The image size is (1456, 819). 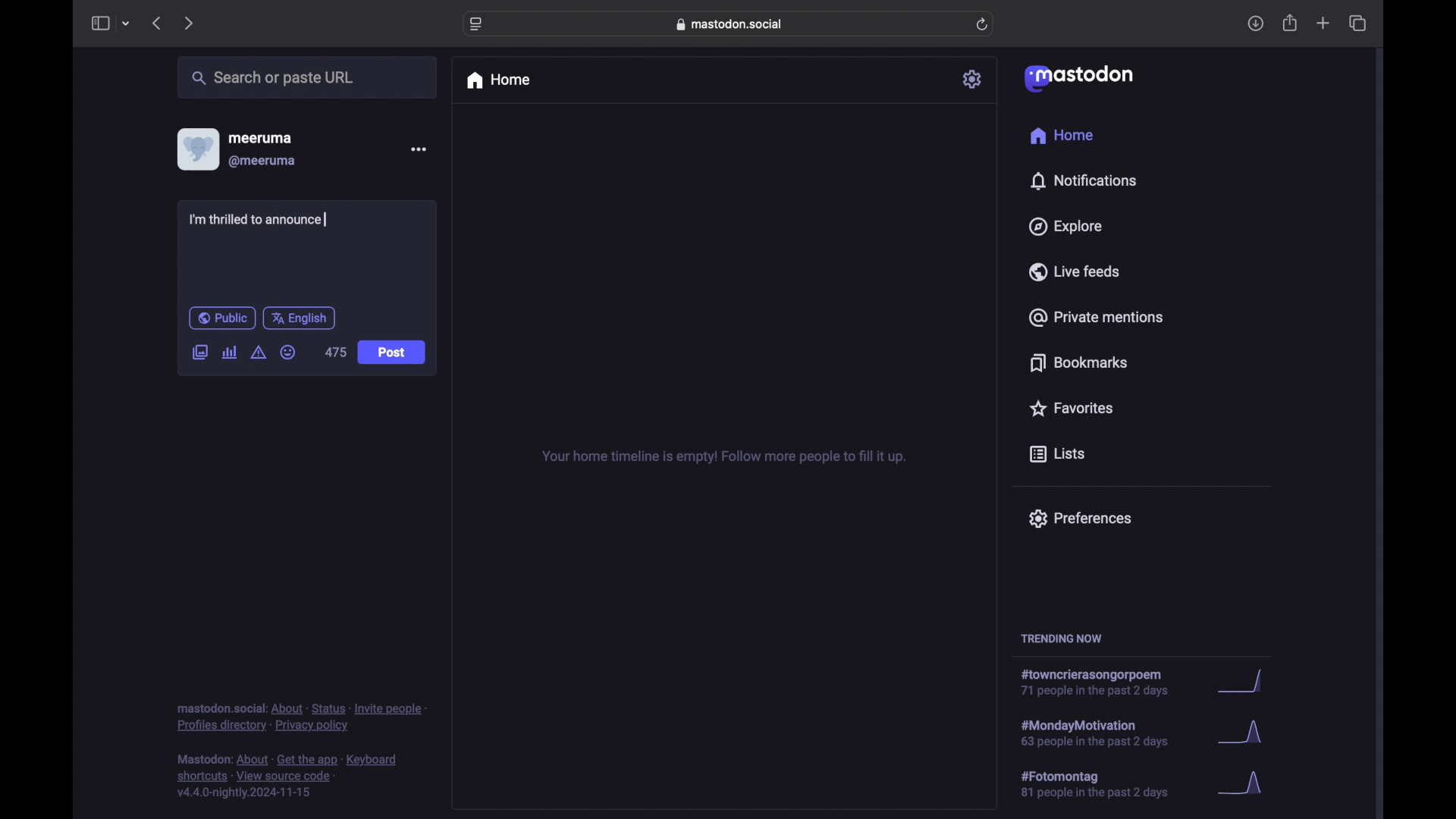 I want to click on preferences, so click(x=1080, y=519).